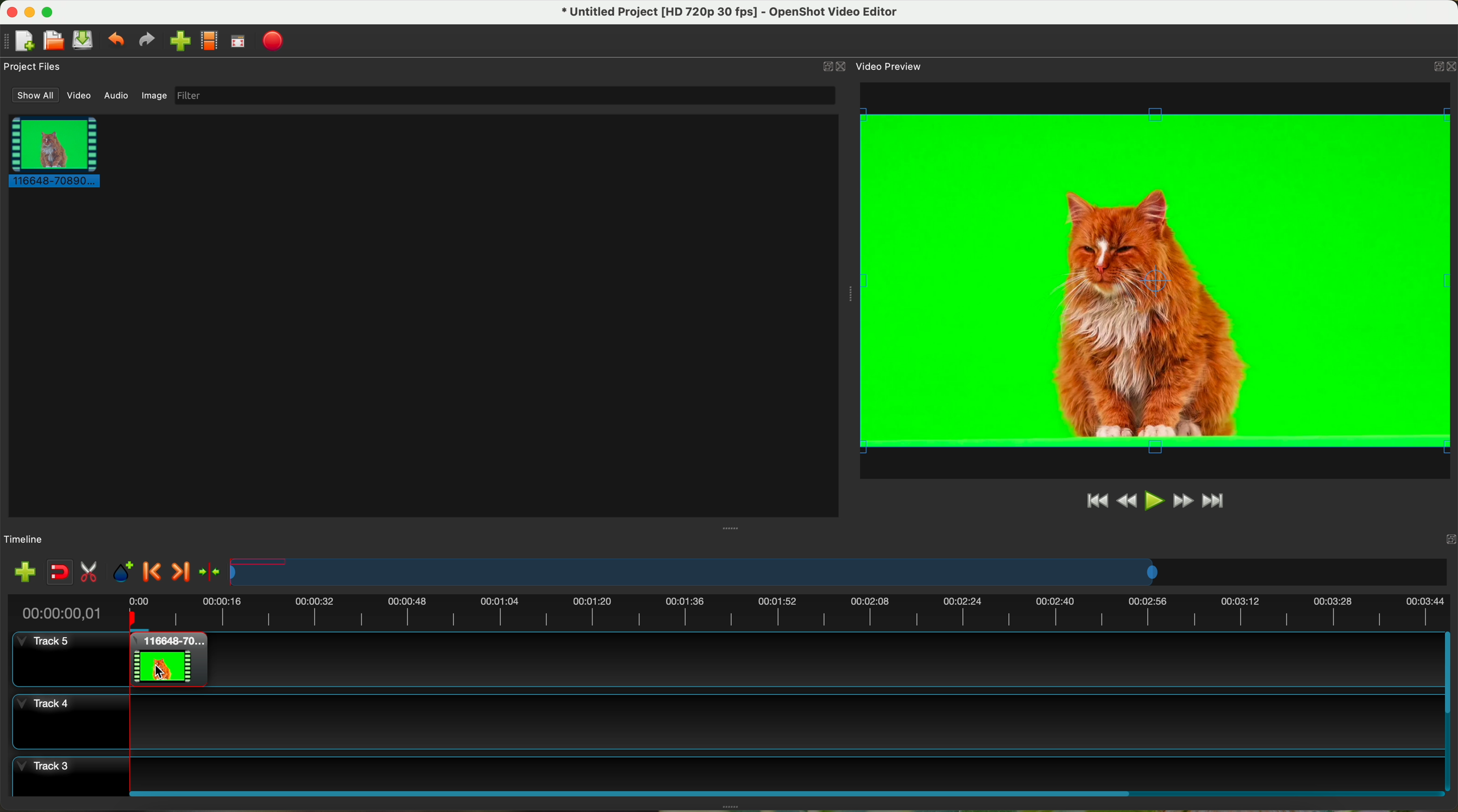 The height and width of the screenshot is (812, 1458). What do you see at coordinates (50, 647) in the screenshot?
I see `track 5` at bounding box center [50, 647].